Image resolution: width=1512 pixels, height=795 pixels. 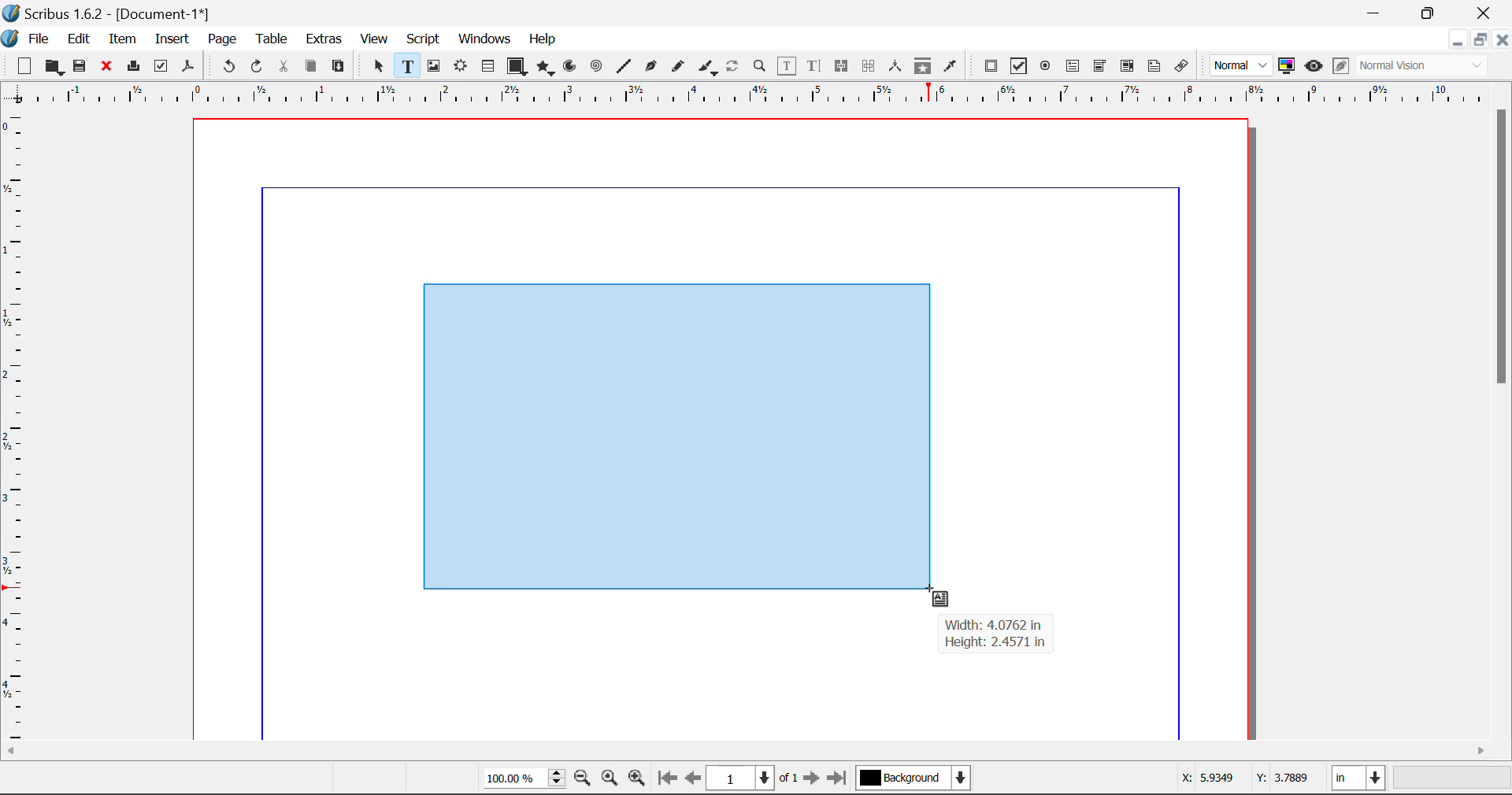 I want to click on Script, so click(x=424, y=41).